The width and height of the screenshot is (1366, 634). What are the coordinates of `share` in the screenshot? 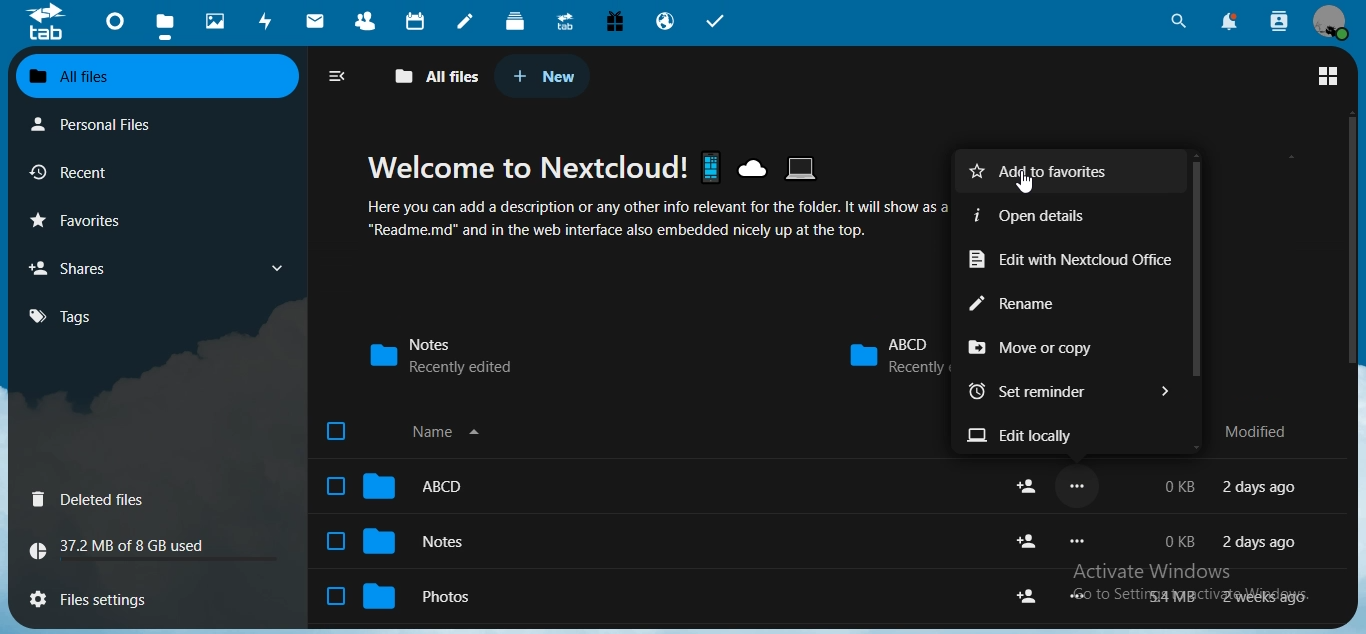 It's located at (1026, 595).